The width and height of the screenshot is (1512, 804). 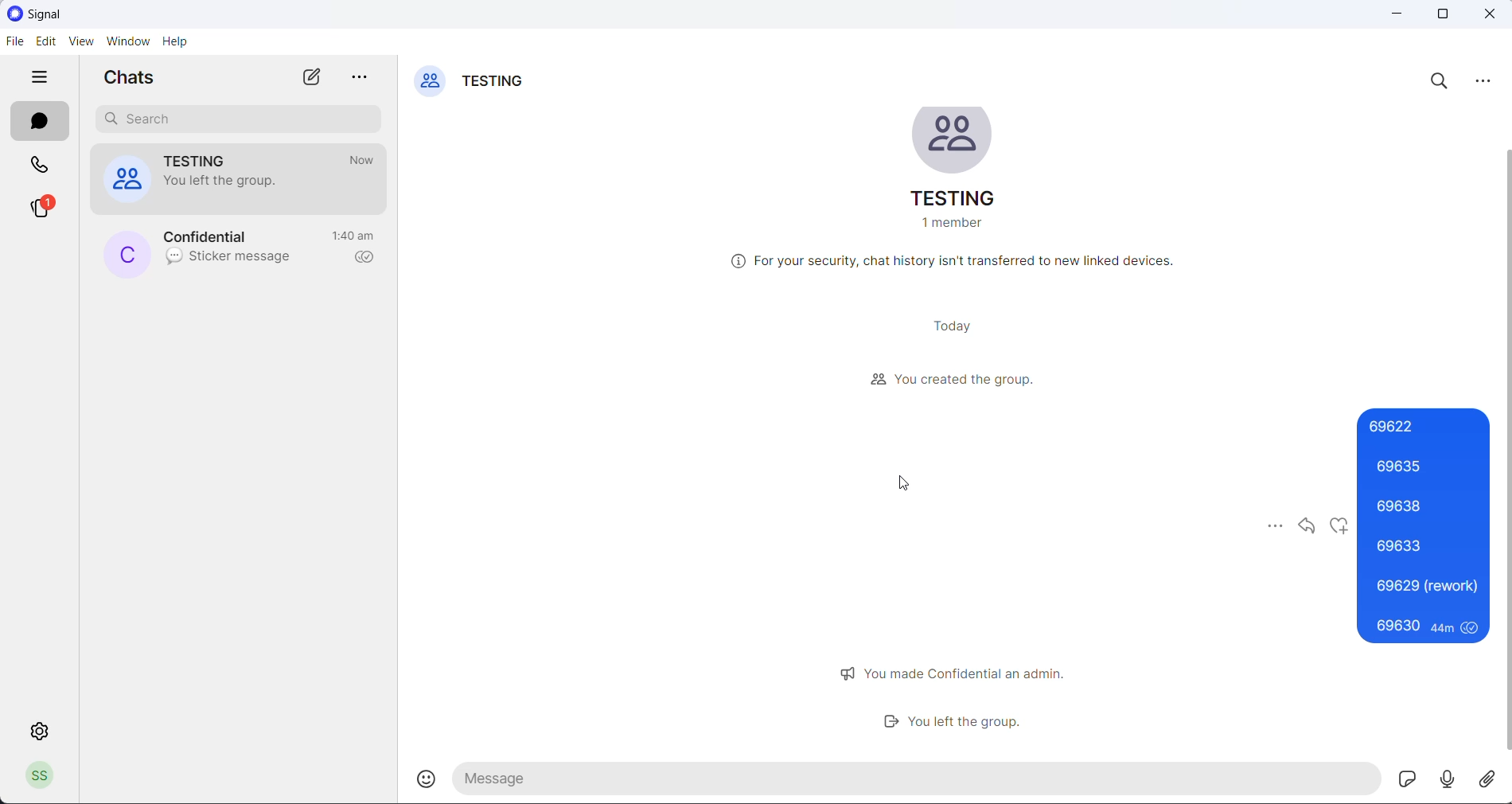 I want to click on view, so click(x=80, y=44).